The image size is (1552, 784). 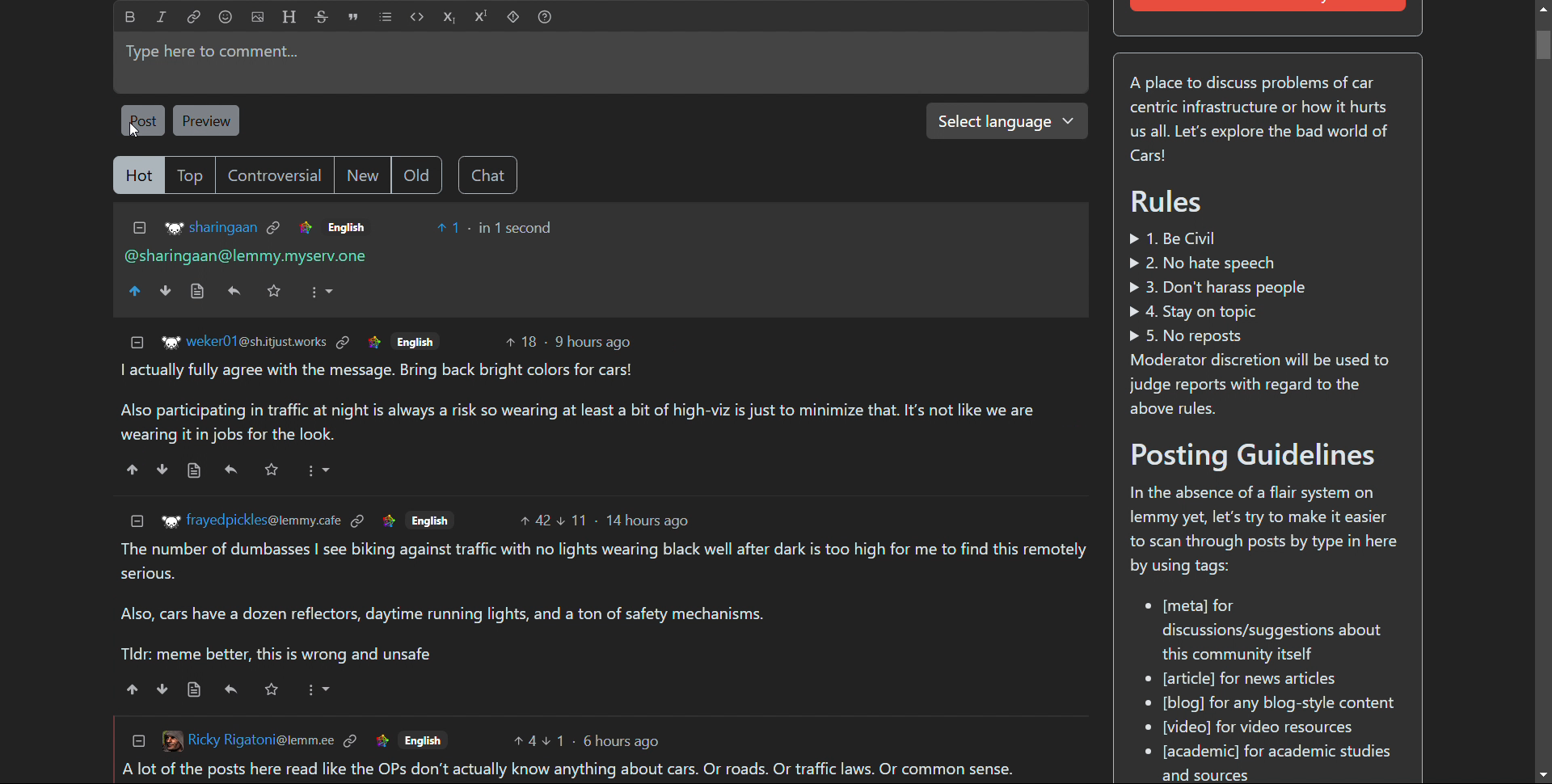 I want to click on More, so click(x=321, y=293).